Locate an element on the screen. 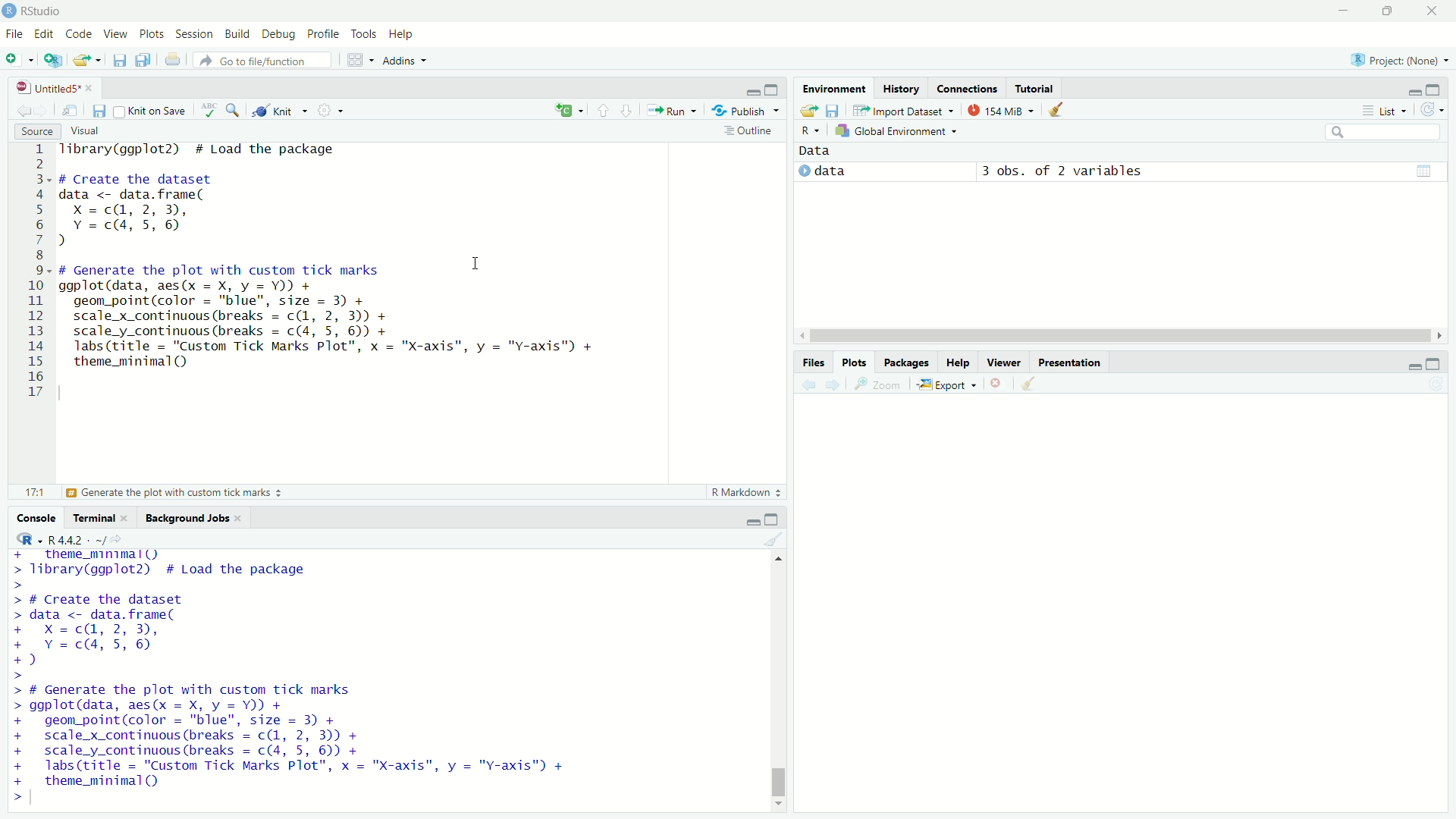  scrollbar is located at coordinates (1116, 335).